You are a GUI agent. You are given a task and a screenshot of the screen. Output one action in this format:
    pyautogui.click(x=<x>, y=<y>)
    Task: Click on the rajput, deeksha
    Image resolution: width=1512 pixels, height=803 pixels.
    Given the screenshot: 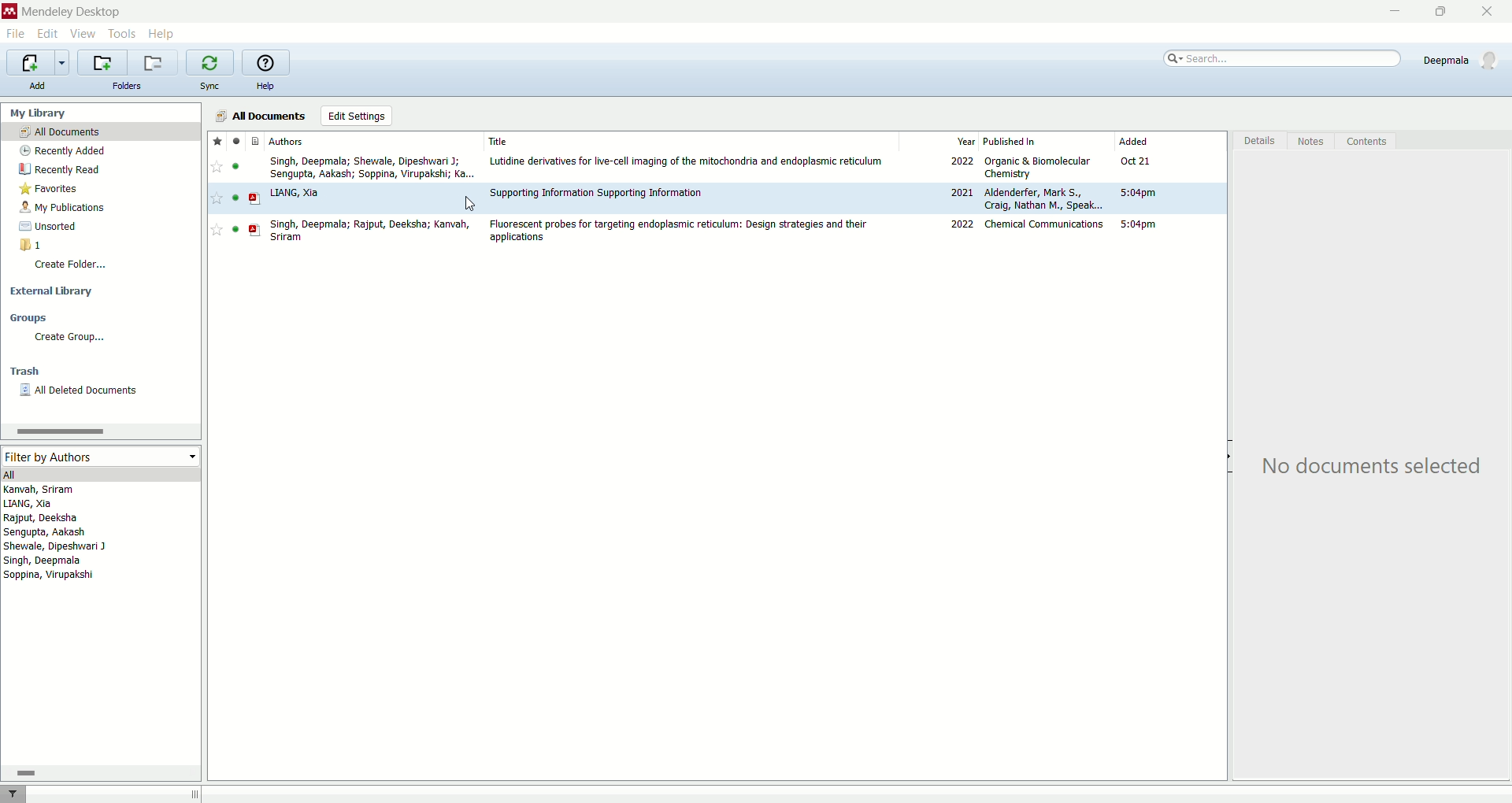 What is the action you would take?
    pyautogui.click(x=42, y=518)
    